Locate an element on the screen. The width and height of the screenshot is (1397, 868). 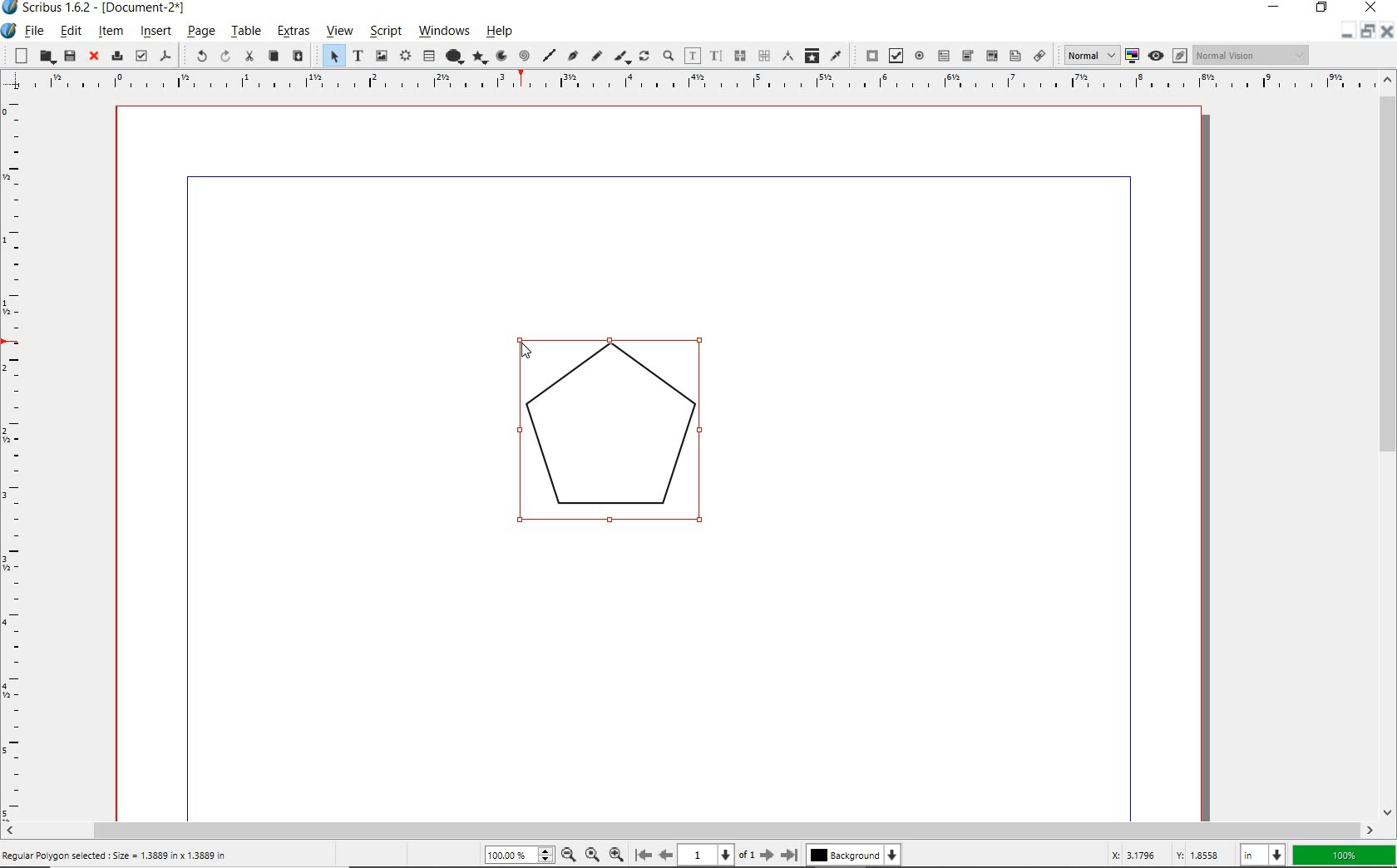
pdf combo box is located at coordinates (967, 56).